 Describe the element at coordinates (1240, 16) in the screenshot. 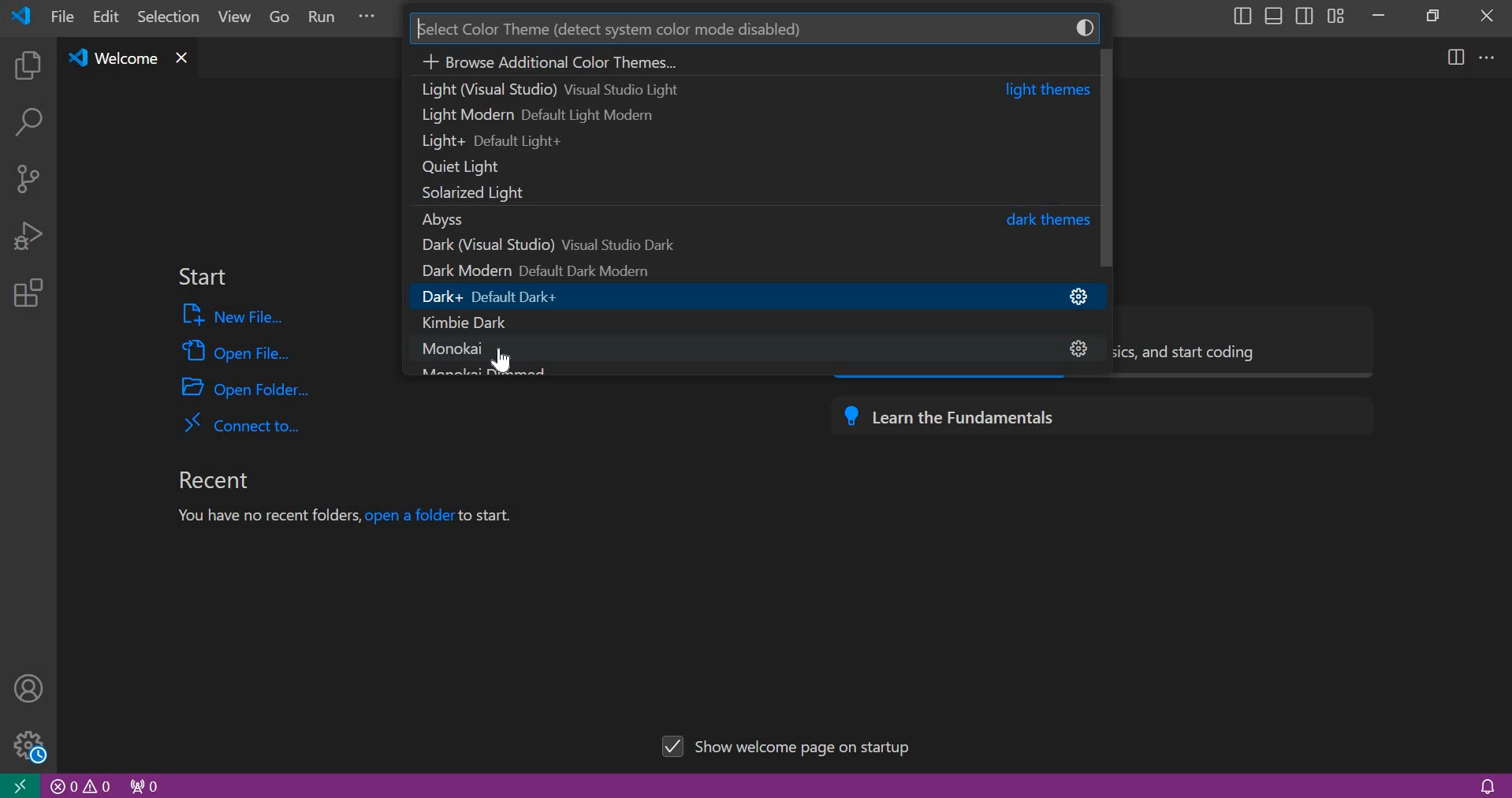

I see `toggle primary sidebar` at that location.